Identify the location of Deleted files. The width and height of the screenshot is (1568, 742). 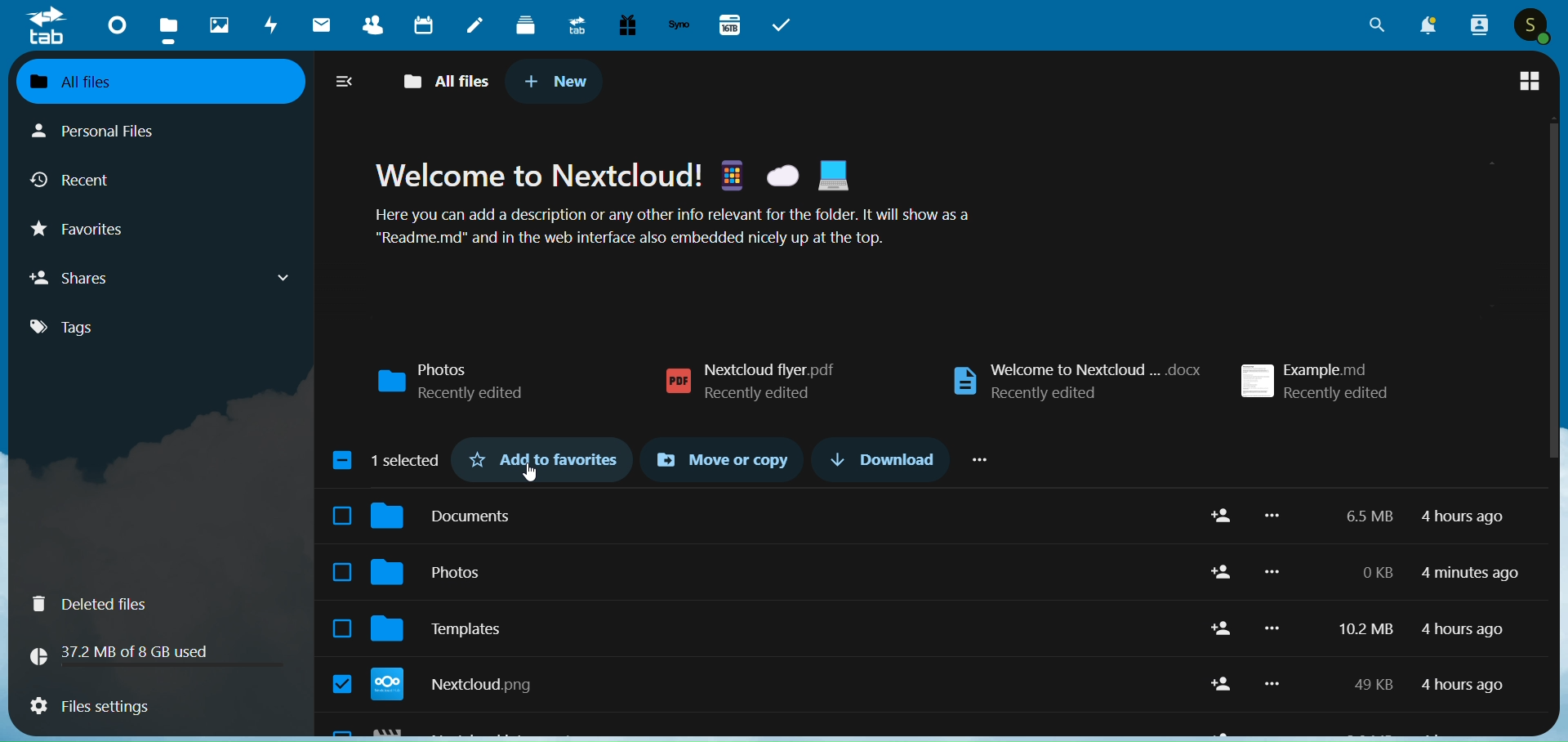
(160, 604).